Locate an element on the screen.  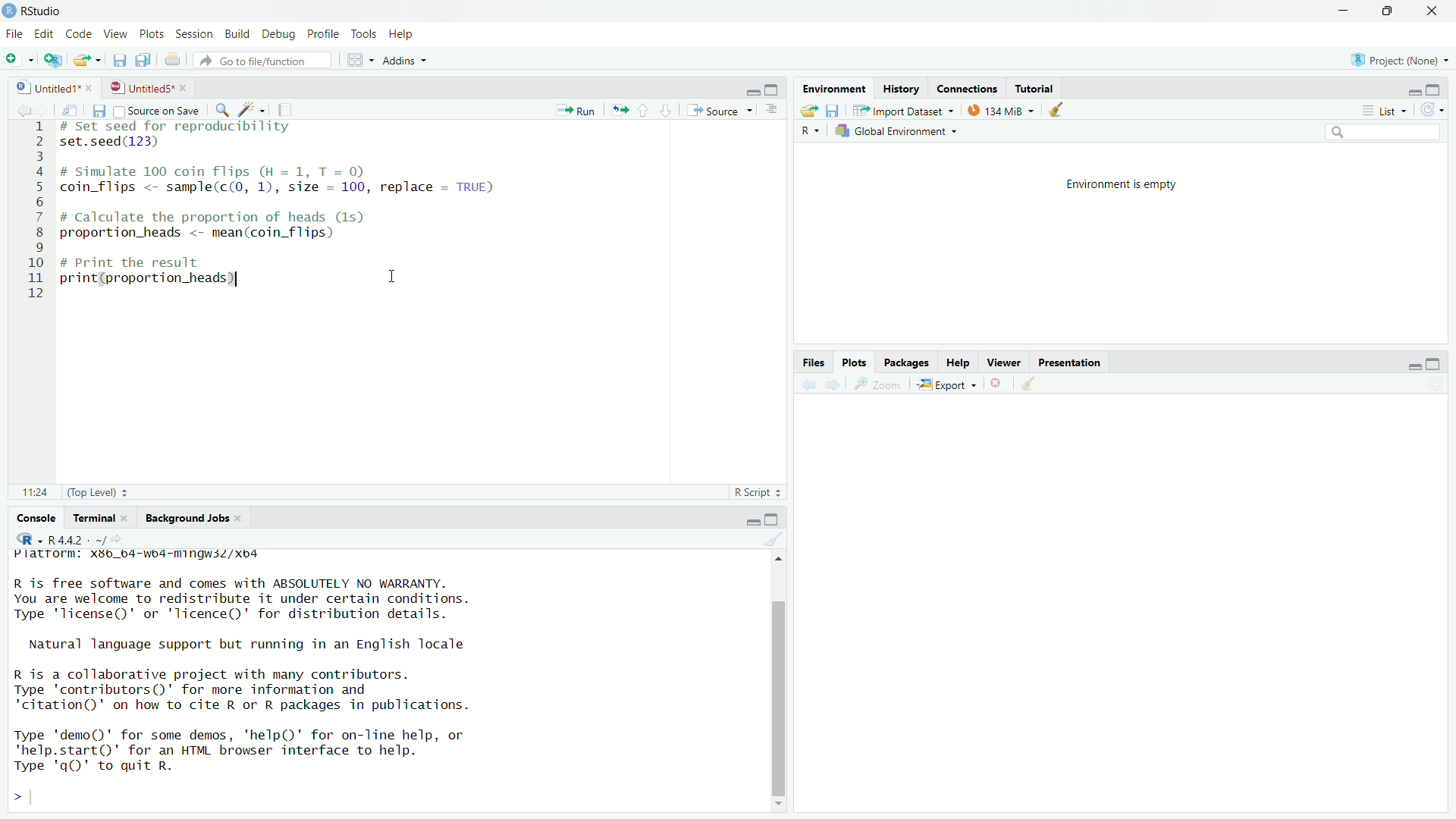
view is located at coordinates (116, 35).